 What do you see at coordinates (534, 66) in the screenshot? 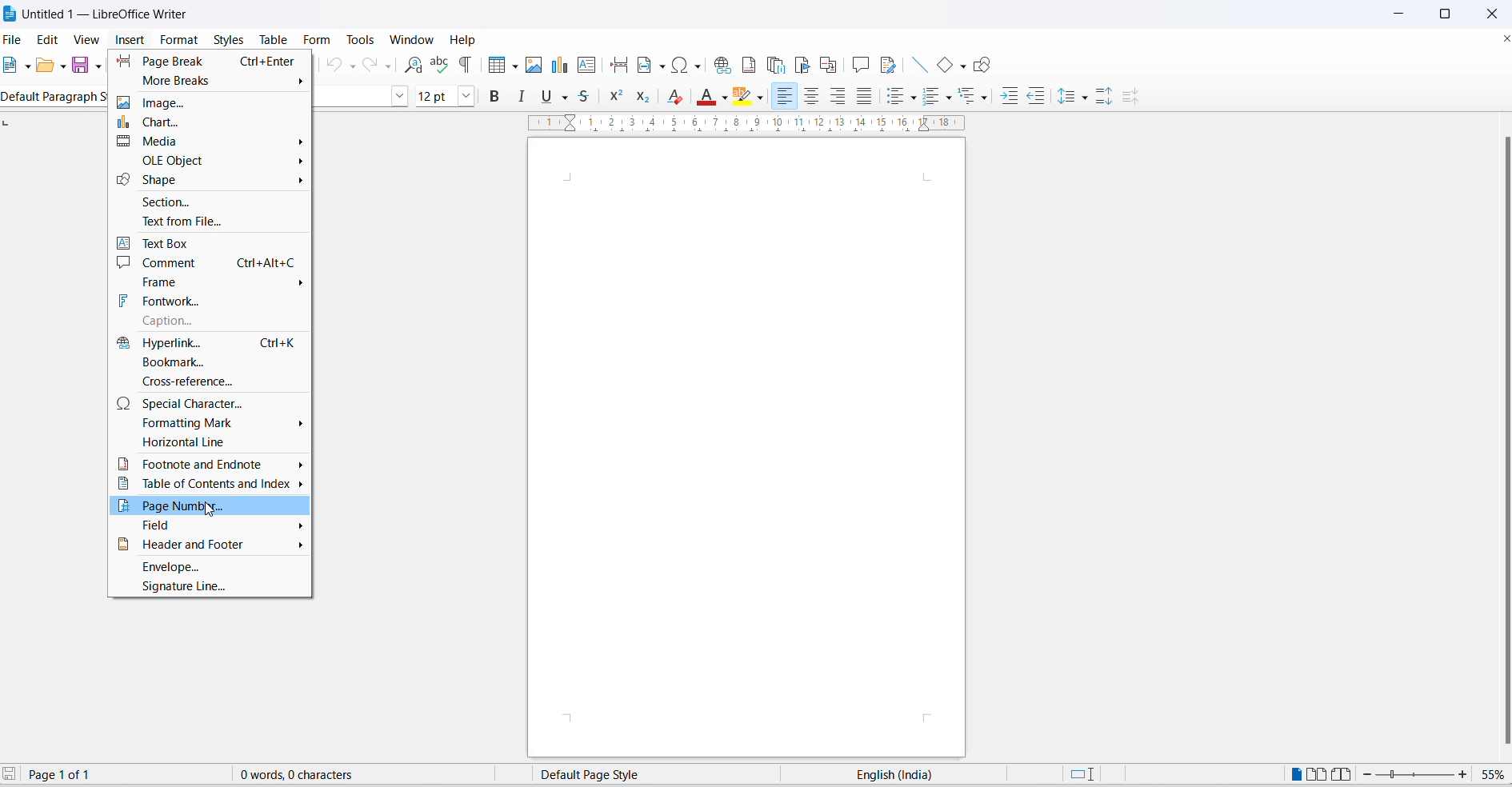
I see `insert images` at bounding box center [534, 66].